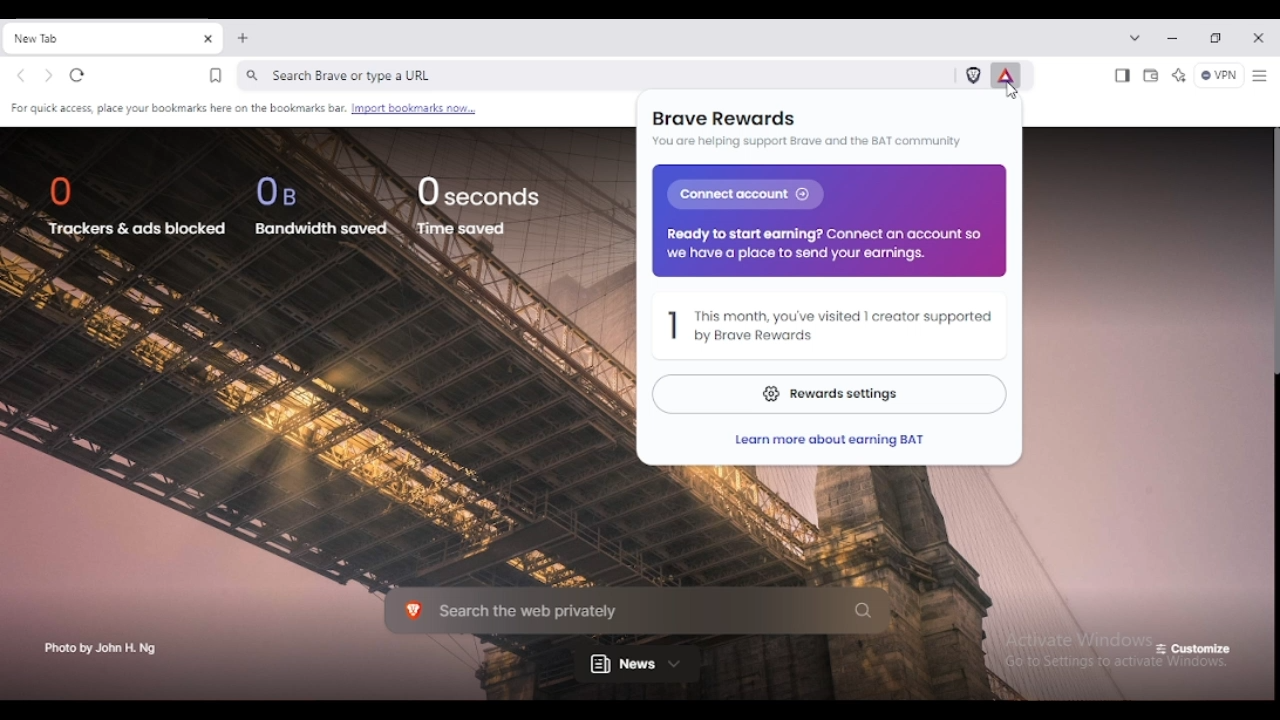 The width and height of the screenshot is (1280, 720). What do you see at coordinates (98, 38) in the screenshot?
I see `new tab` at bounding box center [98, 38].